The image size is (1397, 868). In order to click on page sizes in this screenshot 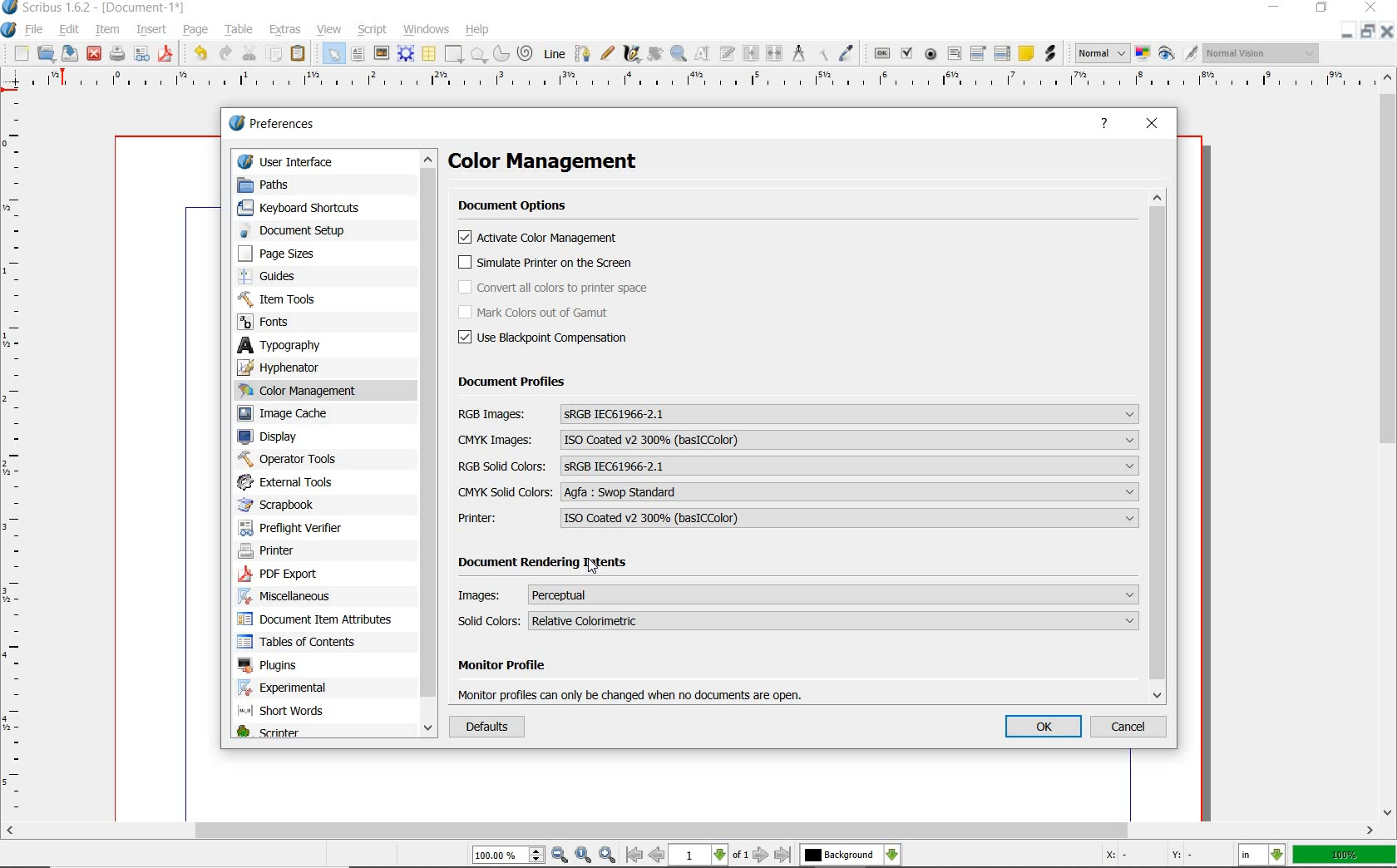, I will do `click(290, 254)`.